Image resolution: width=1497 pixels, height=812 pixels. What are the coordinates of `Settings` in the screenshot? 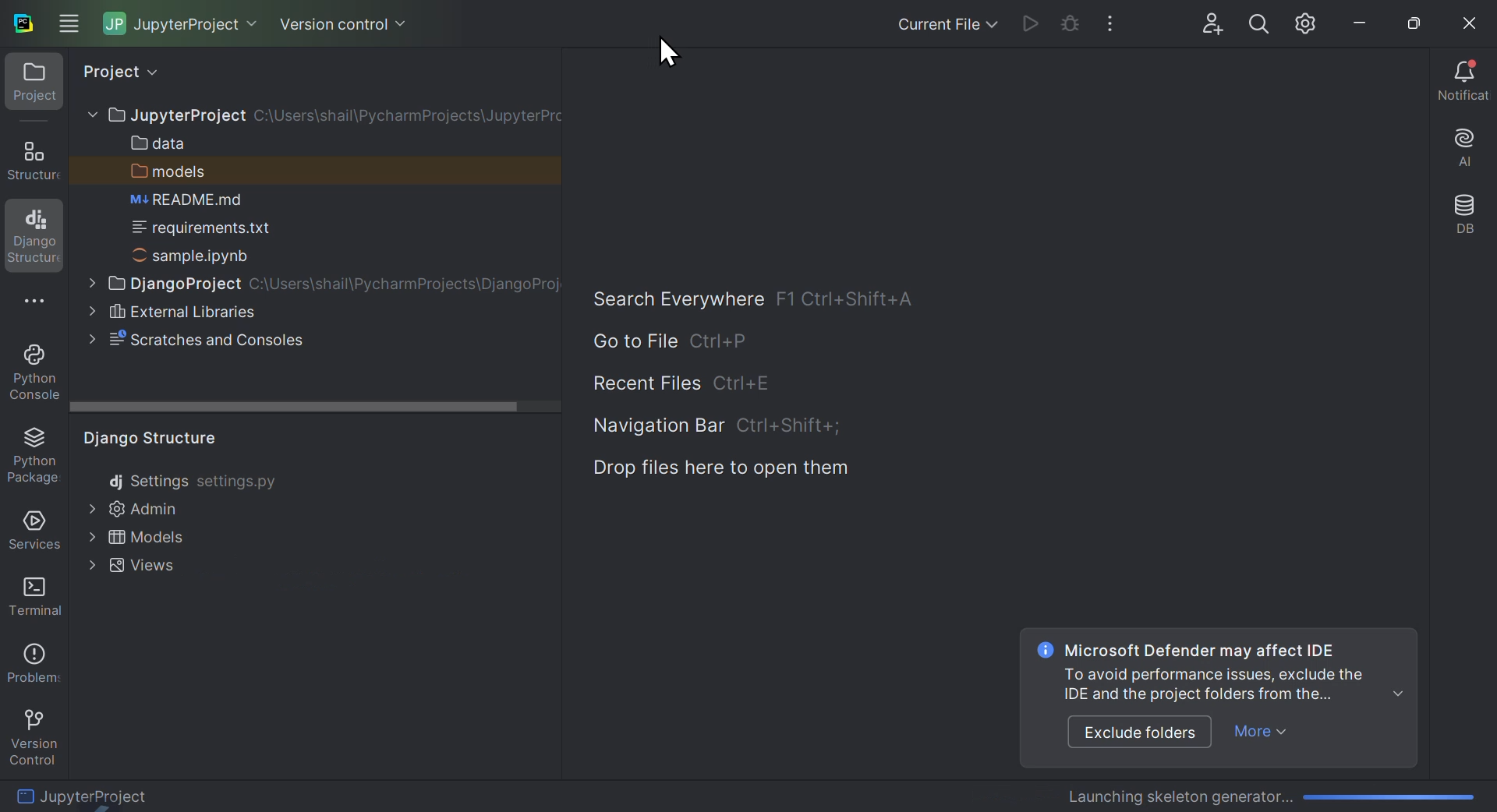 It's located at (1309, 24).